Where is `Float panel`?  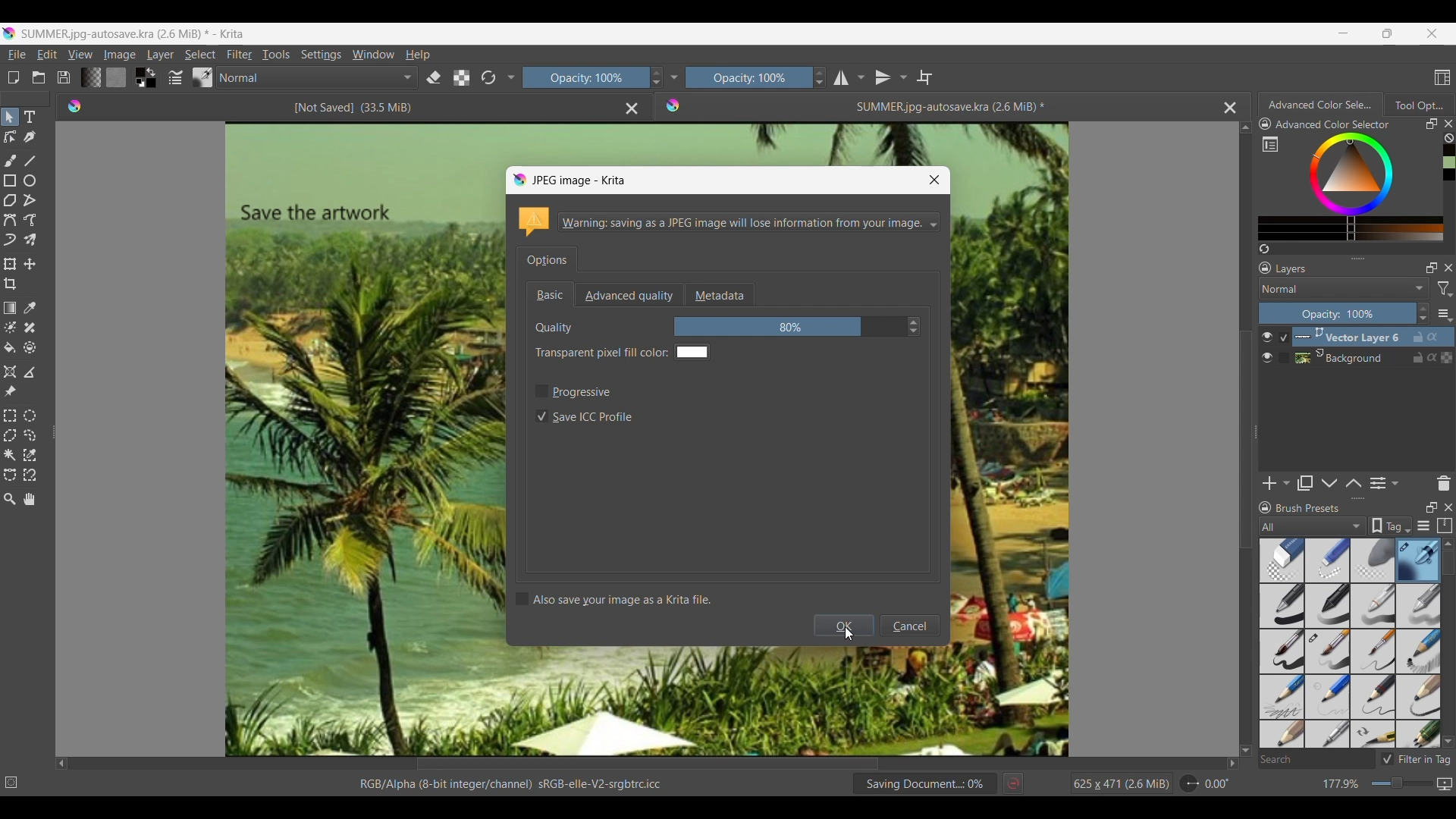 Float panel is located at coordinates (1431, 124).